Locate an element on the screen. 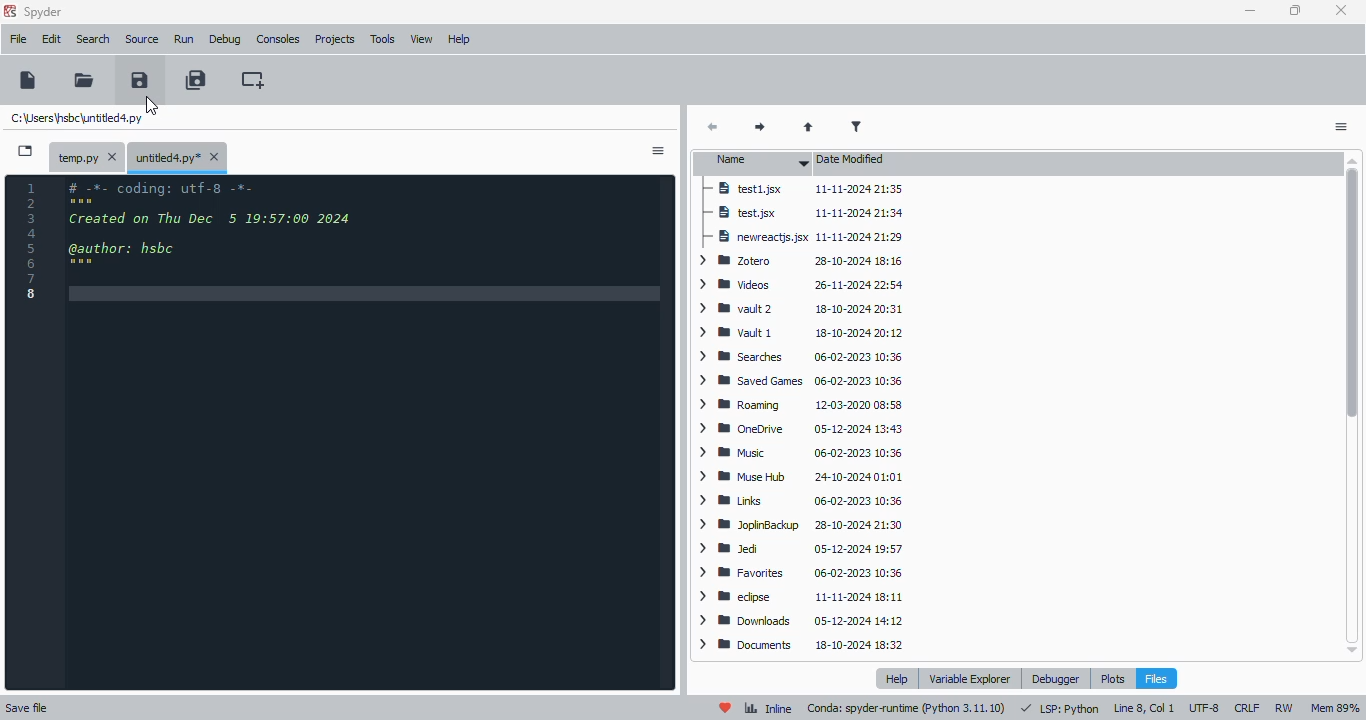 The width and height of the screenshot is (1366, 720). variable explorer is located at coordinates (970, 679).